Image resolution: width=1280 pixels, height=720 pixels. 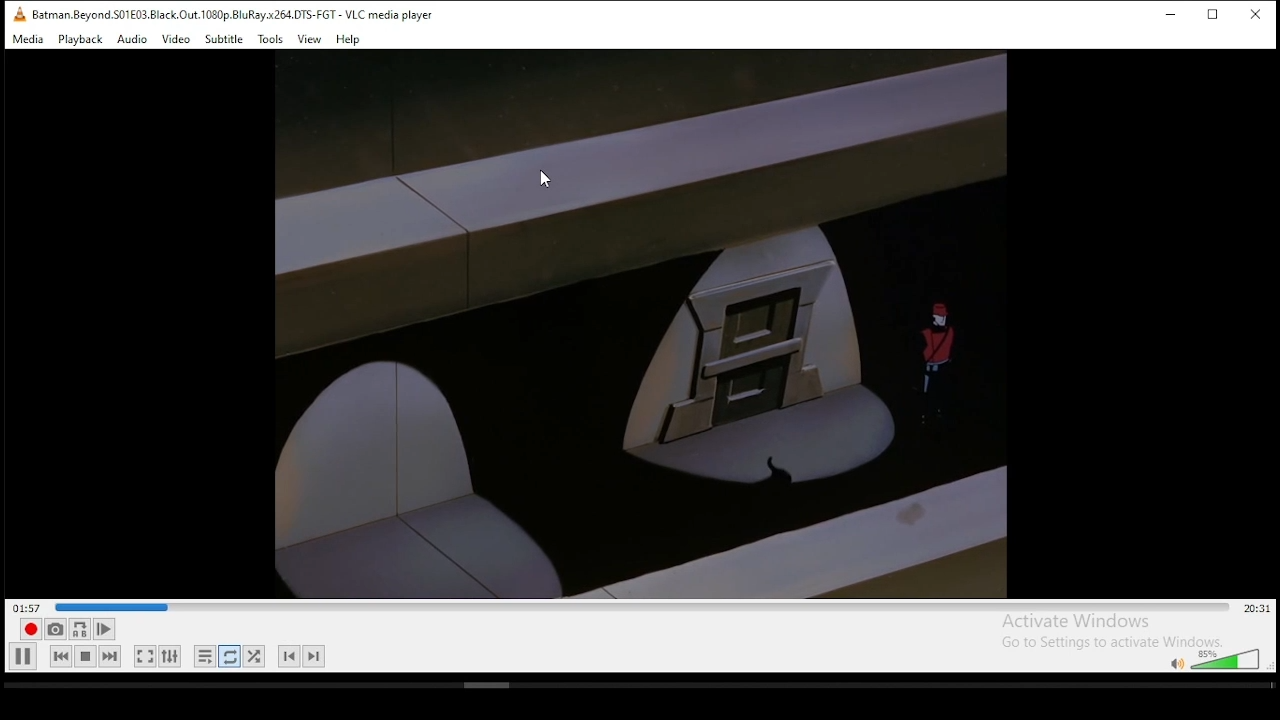 I want to click on elapsed time, so click(x=26, y=606).